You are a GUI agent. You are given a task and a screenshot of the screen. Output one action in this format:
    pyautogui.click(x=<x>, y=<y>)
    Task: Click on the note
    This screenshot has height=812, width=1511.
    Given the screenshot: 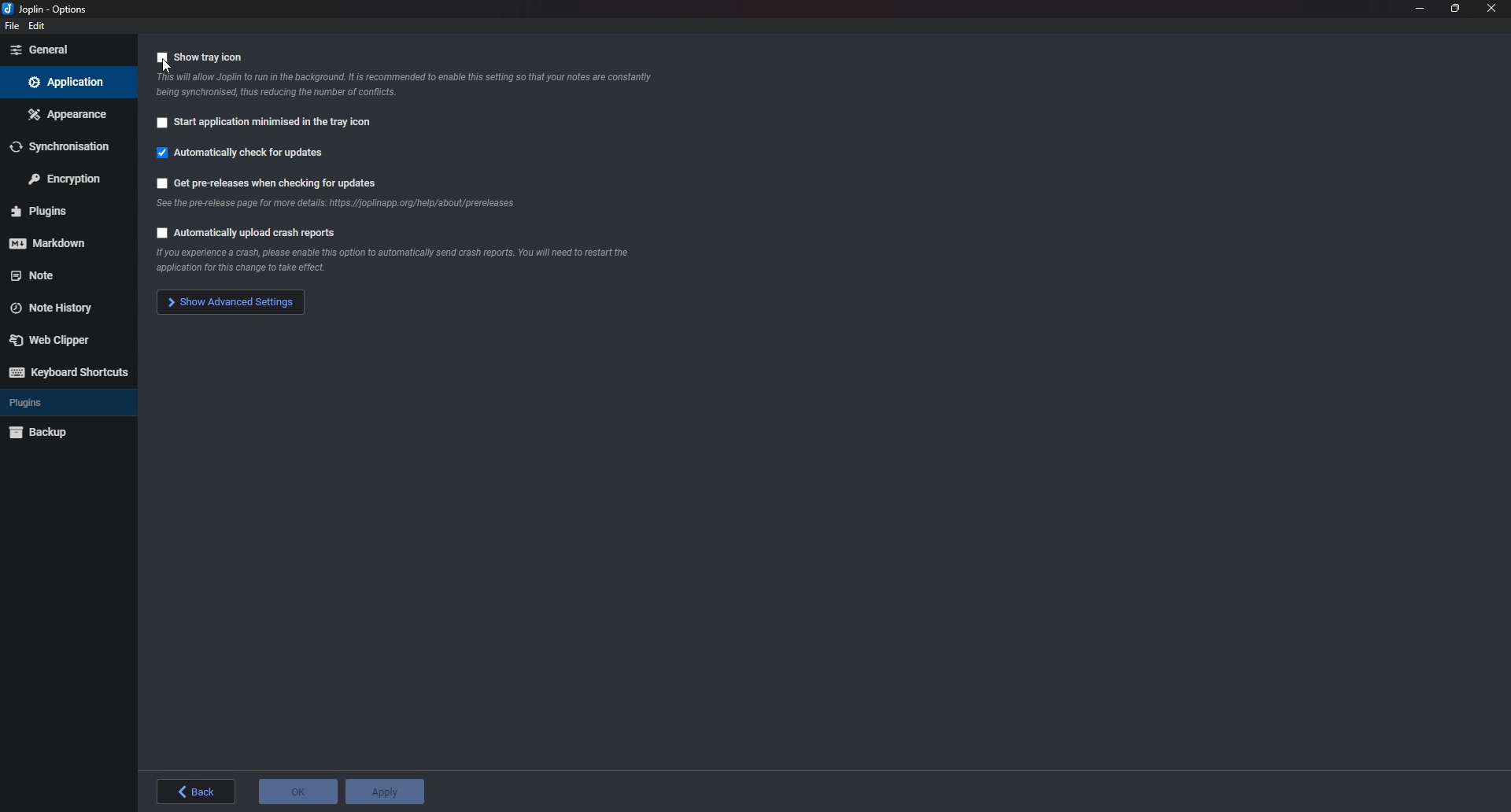 What is the action you would take?
    pyautogui.click(x=58, y=275)
    